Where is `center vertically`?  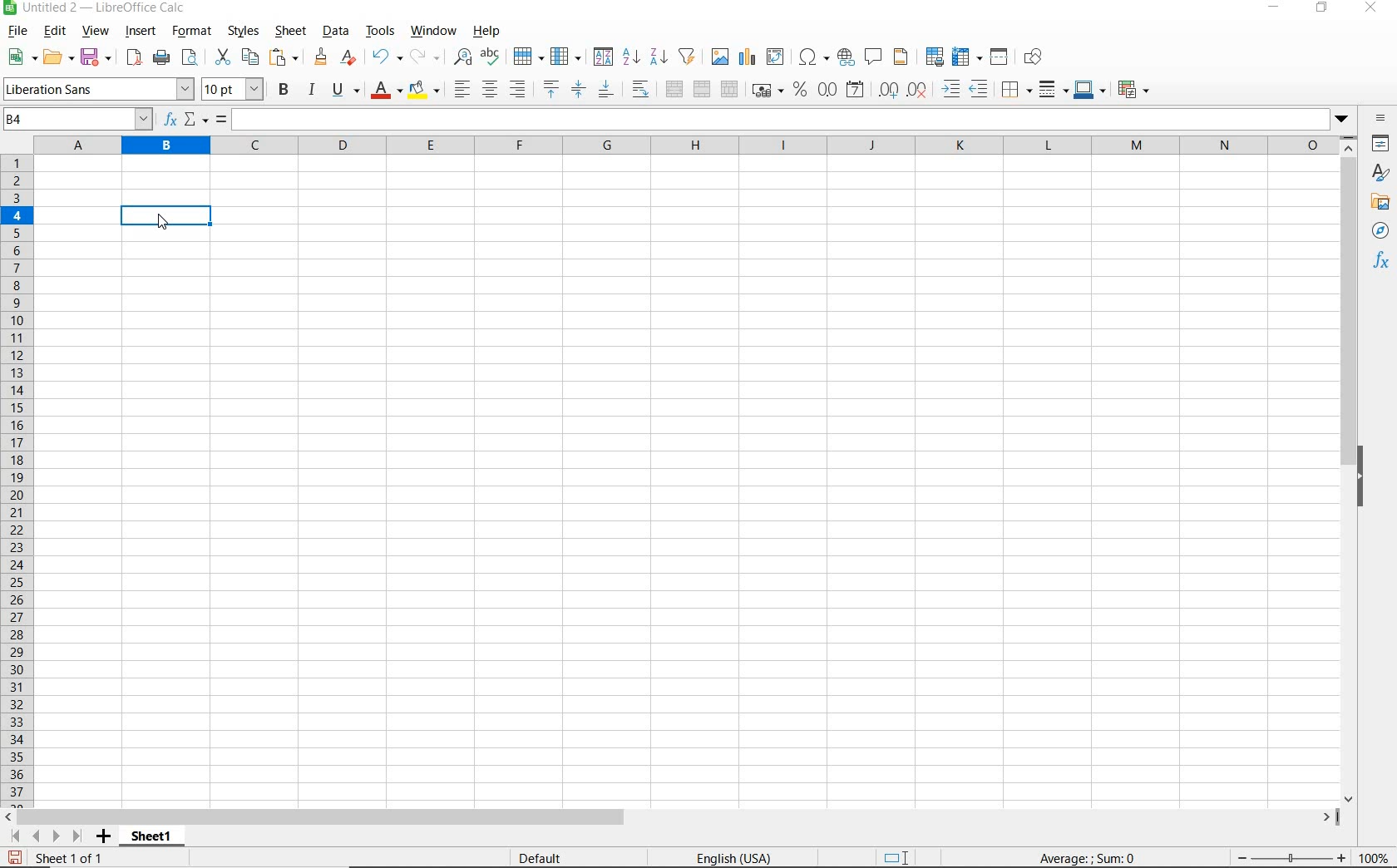
center vertically is located at coordinates (579, 91).